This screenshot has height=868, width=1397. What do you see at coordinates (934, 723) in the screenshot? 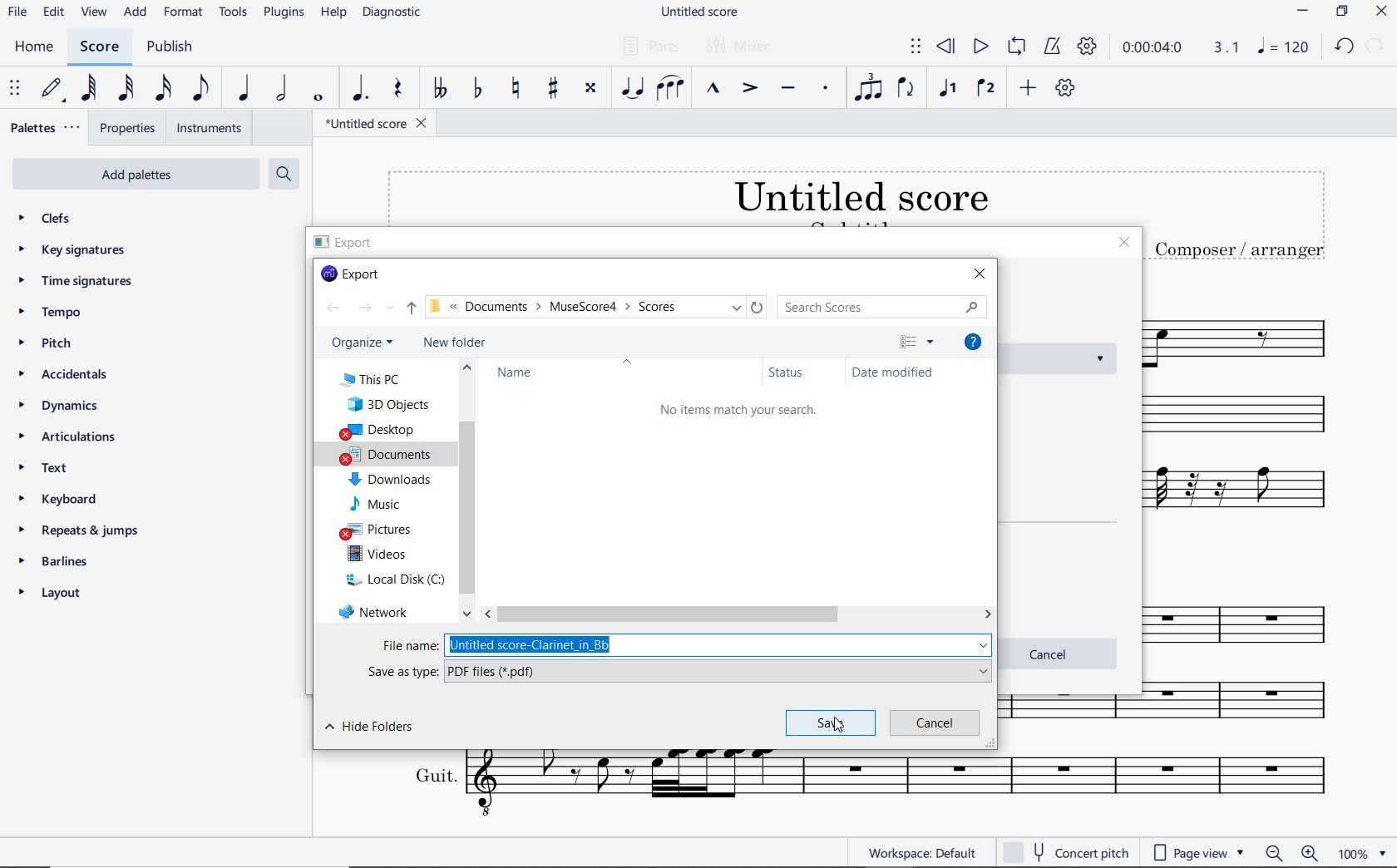
I see `cancel` at bounding box center [934, 723].